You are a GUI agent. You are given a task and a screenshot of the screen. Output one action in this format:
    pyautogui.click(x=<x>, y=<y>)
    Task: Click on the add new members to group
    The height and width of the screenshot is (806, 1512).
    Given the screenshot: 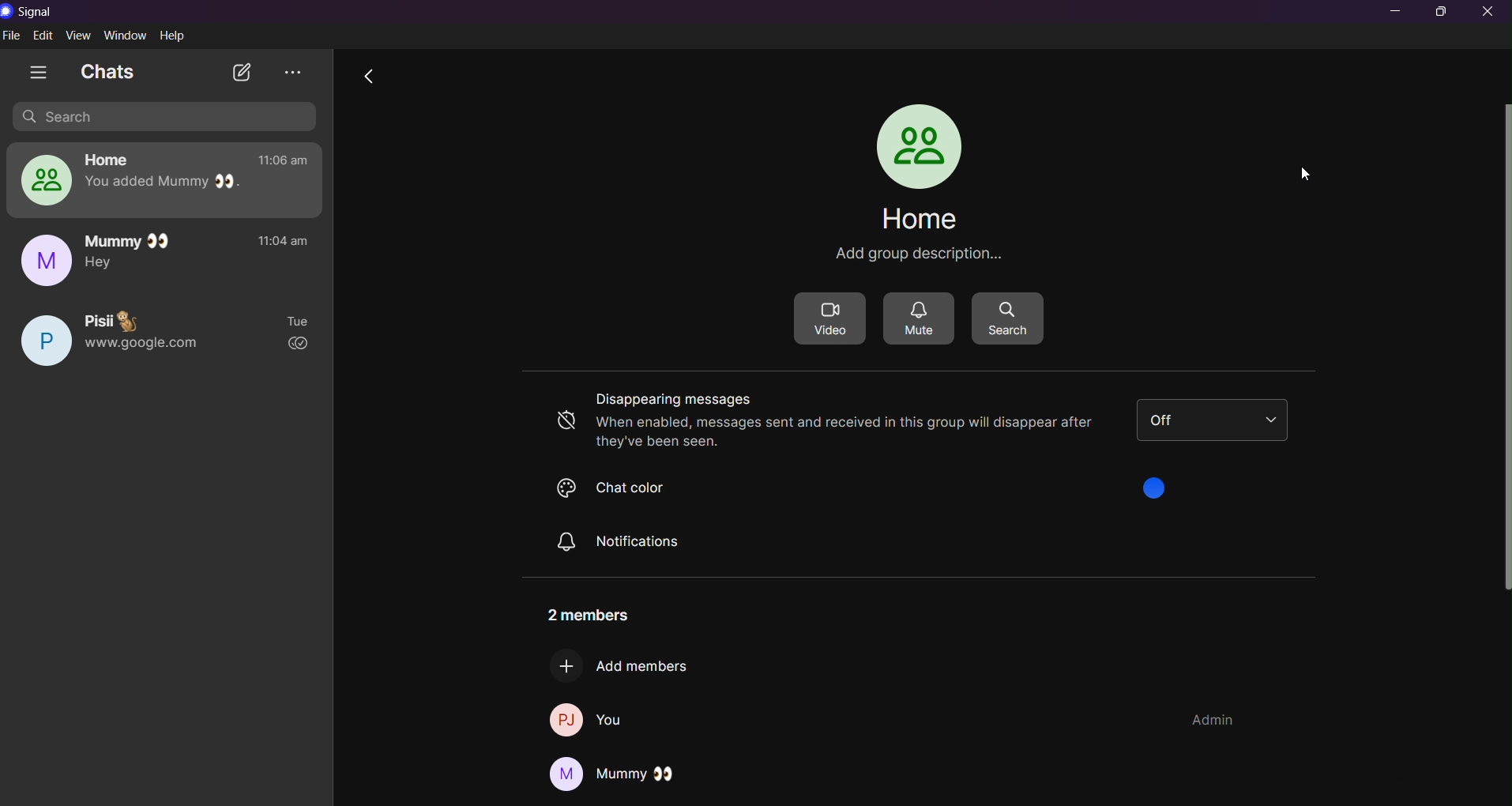 What is the action you would take?
    pyautogui.click(x=630, y=666)
    